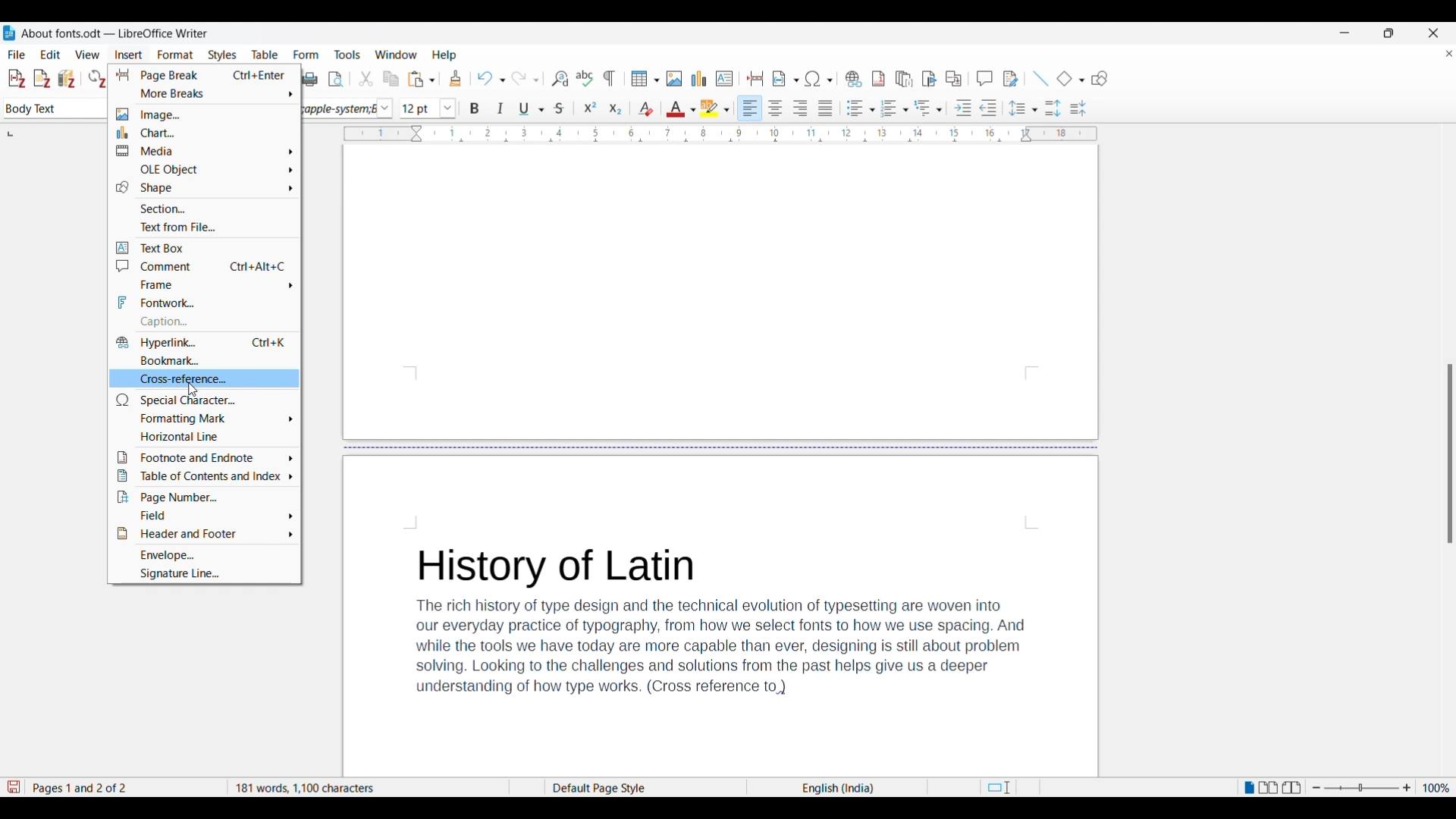 Image resolution: width=1456 pixels, height=819 pixels. Describe the element at coordinates (1247, 788) in the screenshot. I see `Single page view` at that location.